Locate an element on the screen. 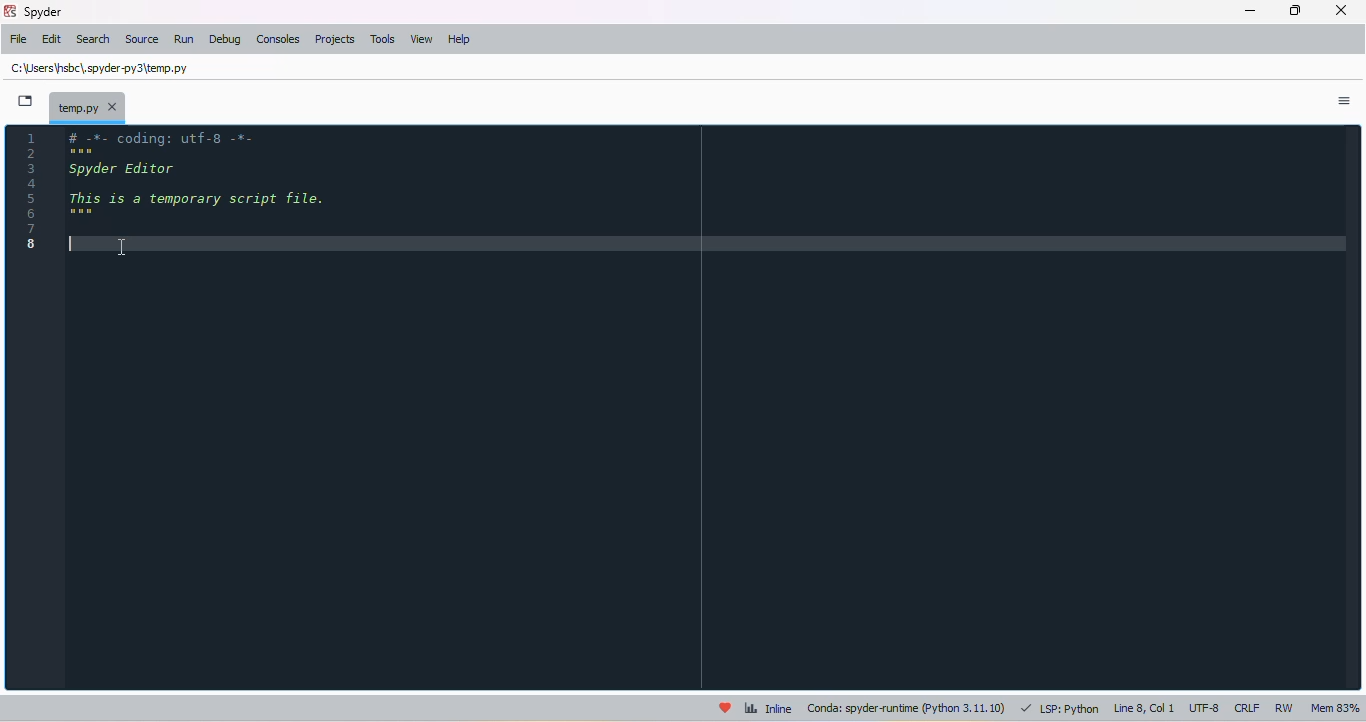 The width and height of the screenshot is (1366, 722). line 8, col 1 is located at coordinates (1145, 708).